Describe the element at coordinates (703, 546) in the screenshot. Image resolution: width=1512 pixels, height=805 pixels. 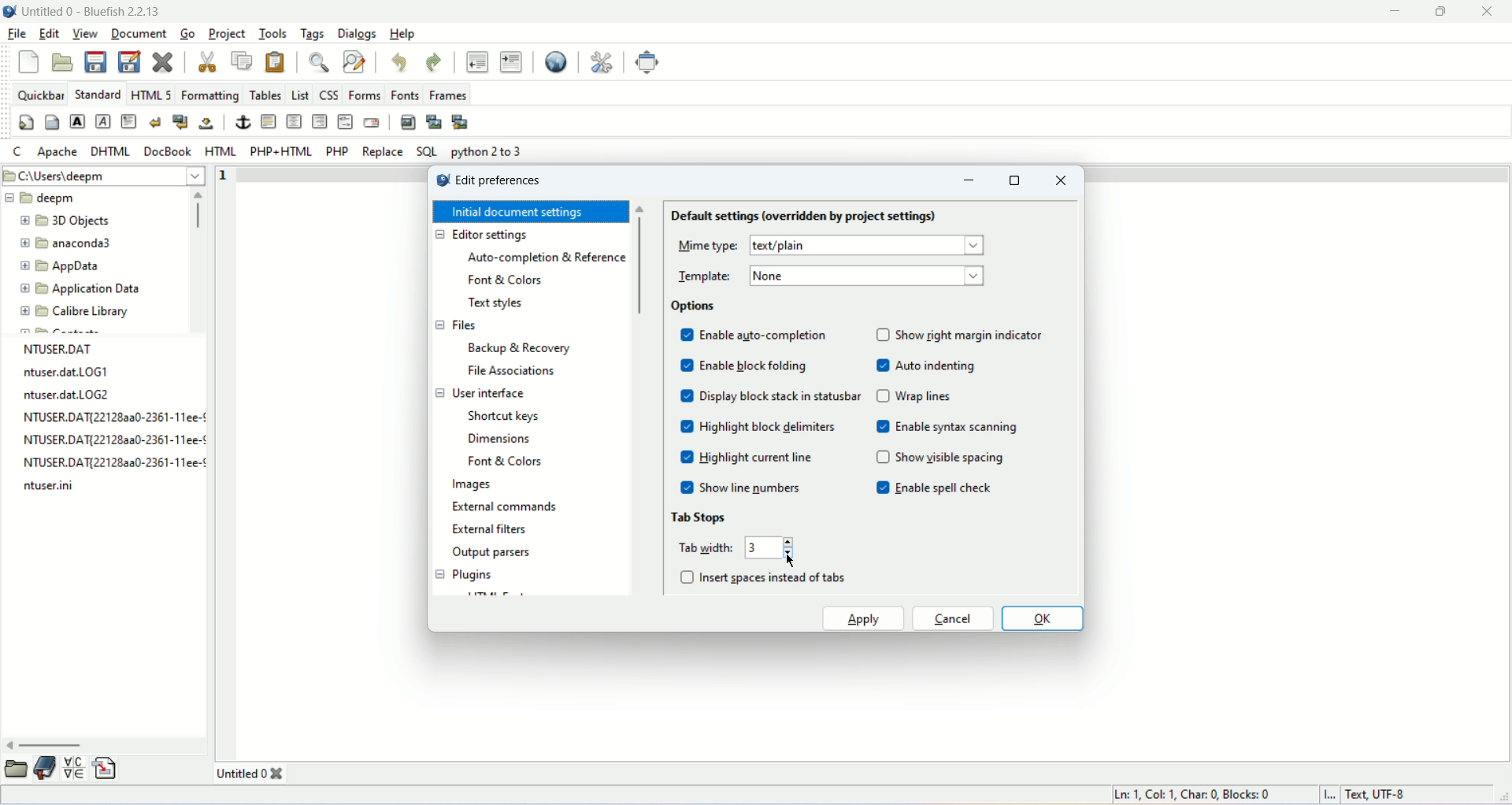
I see `tab width` at that location.